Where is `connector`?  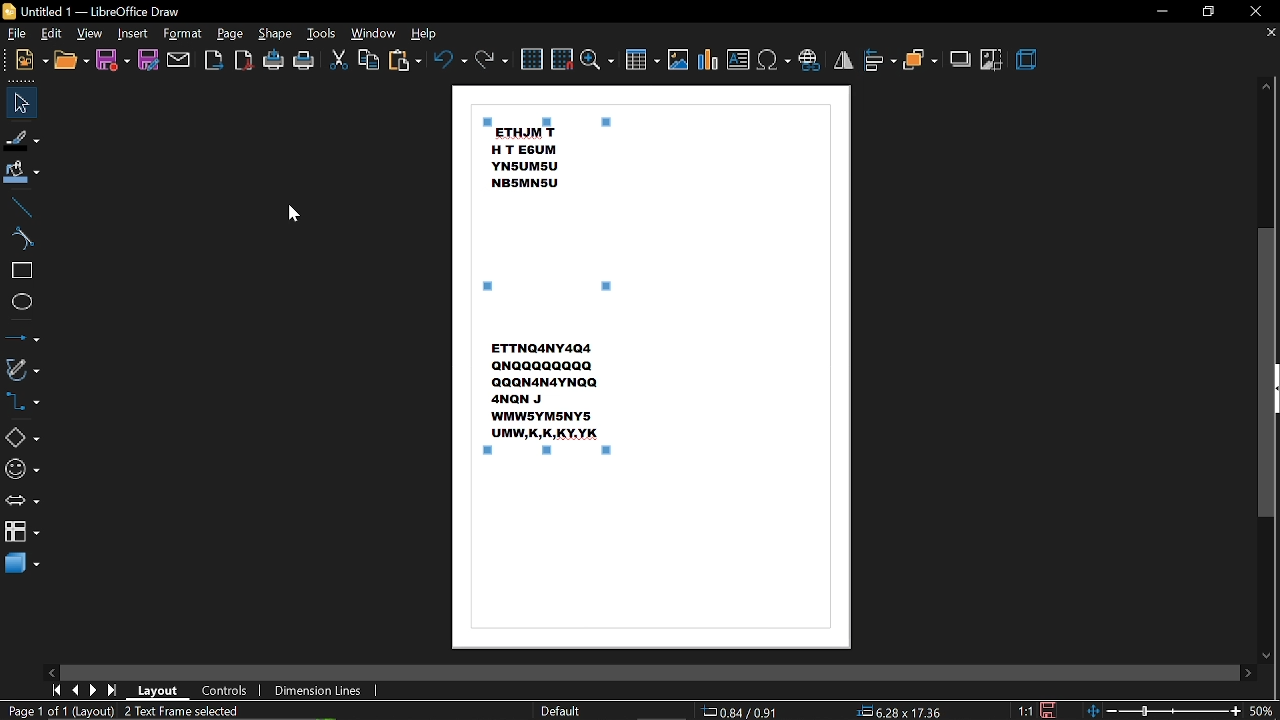
connector is located at coordinates (26, 404).